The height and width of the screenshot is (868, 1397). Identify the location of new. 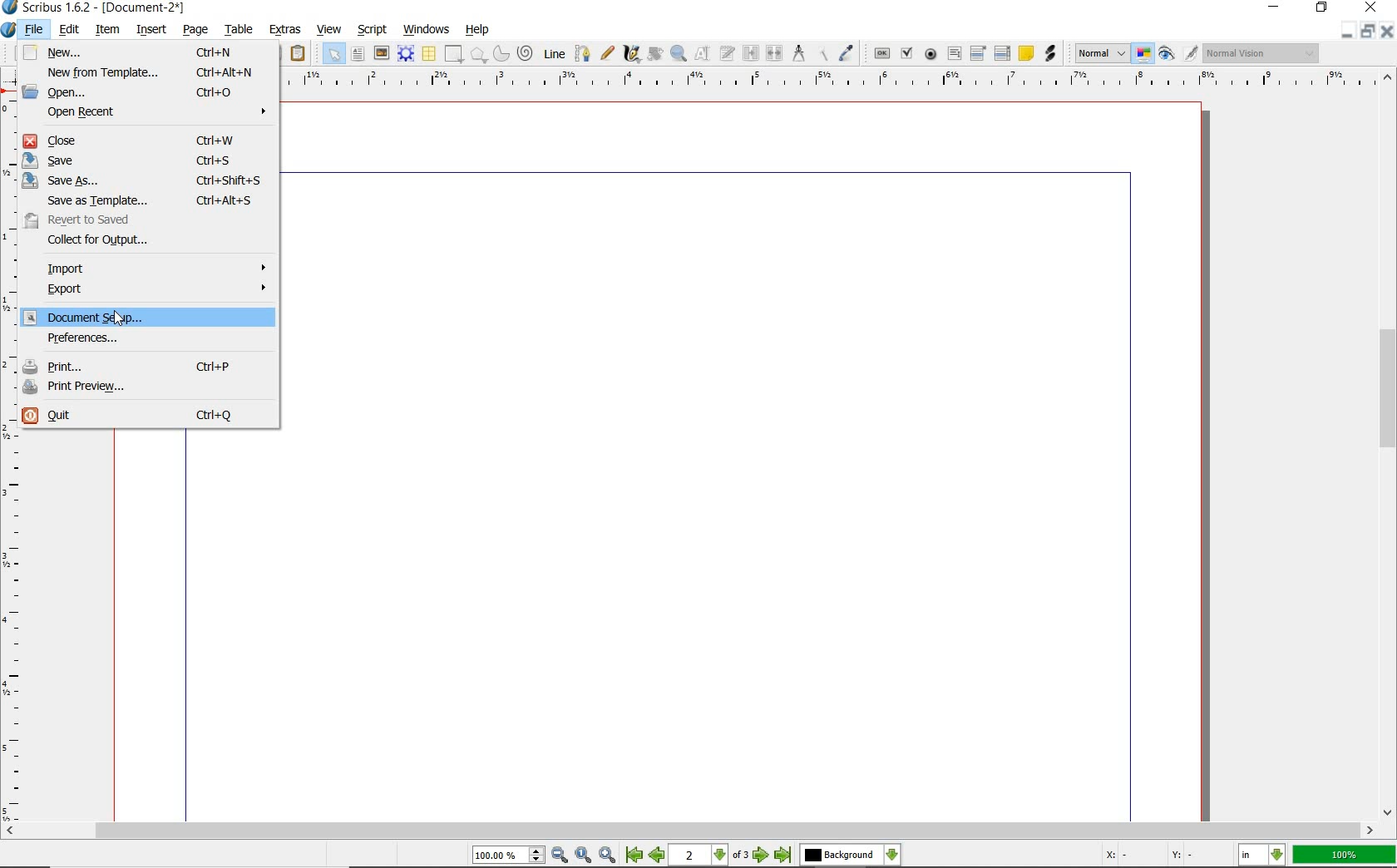
(148, 52).